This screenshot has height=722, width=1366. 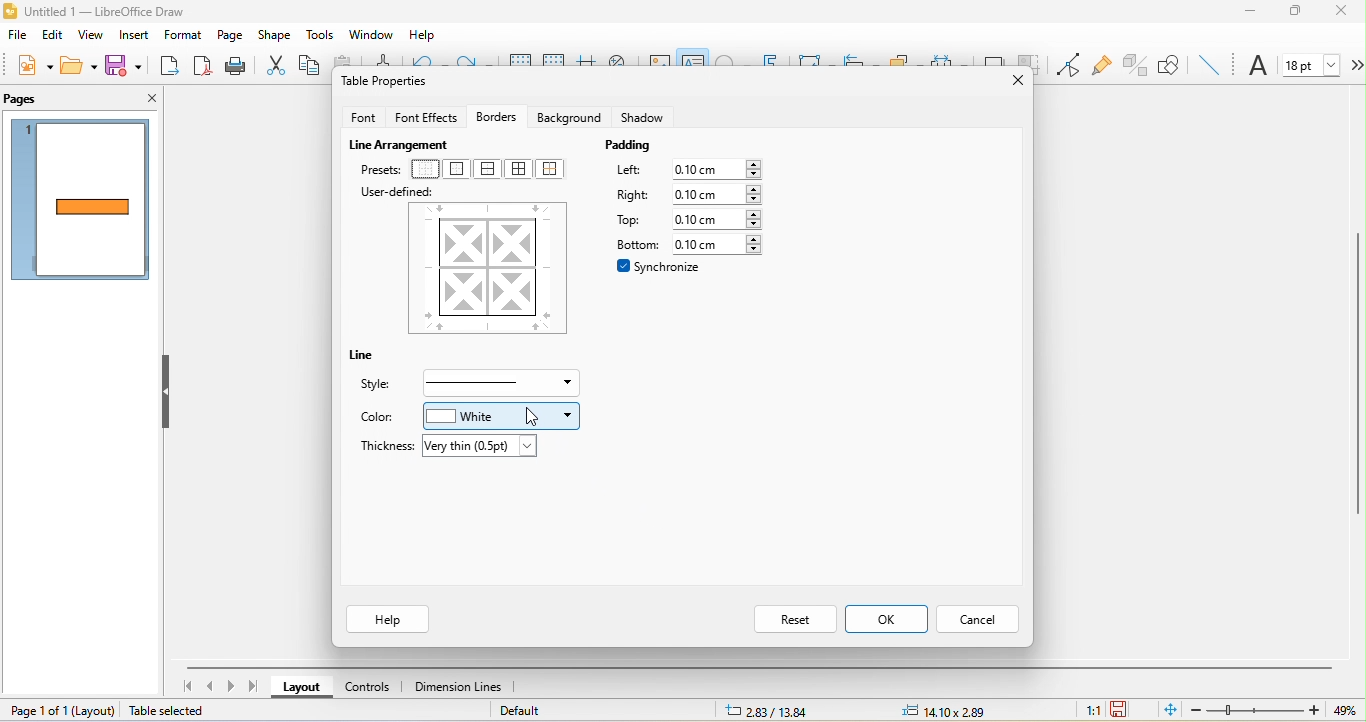 What do you see at coordinates (234, 64) in the screenshot?
I see `print` at bounding box center [234, 64].